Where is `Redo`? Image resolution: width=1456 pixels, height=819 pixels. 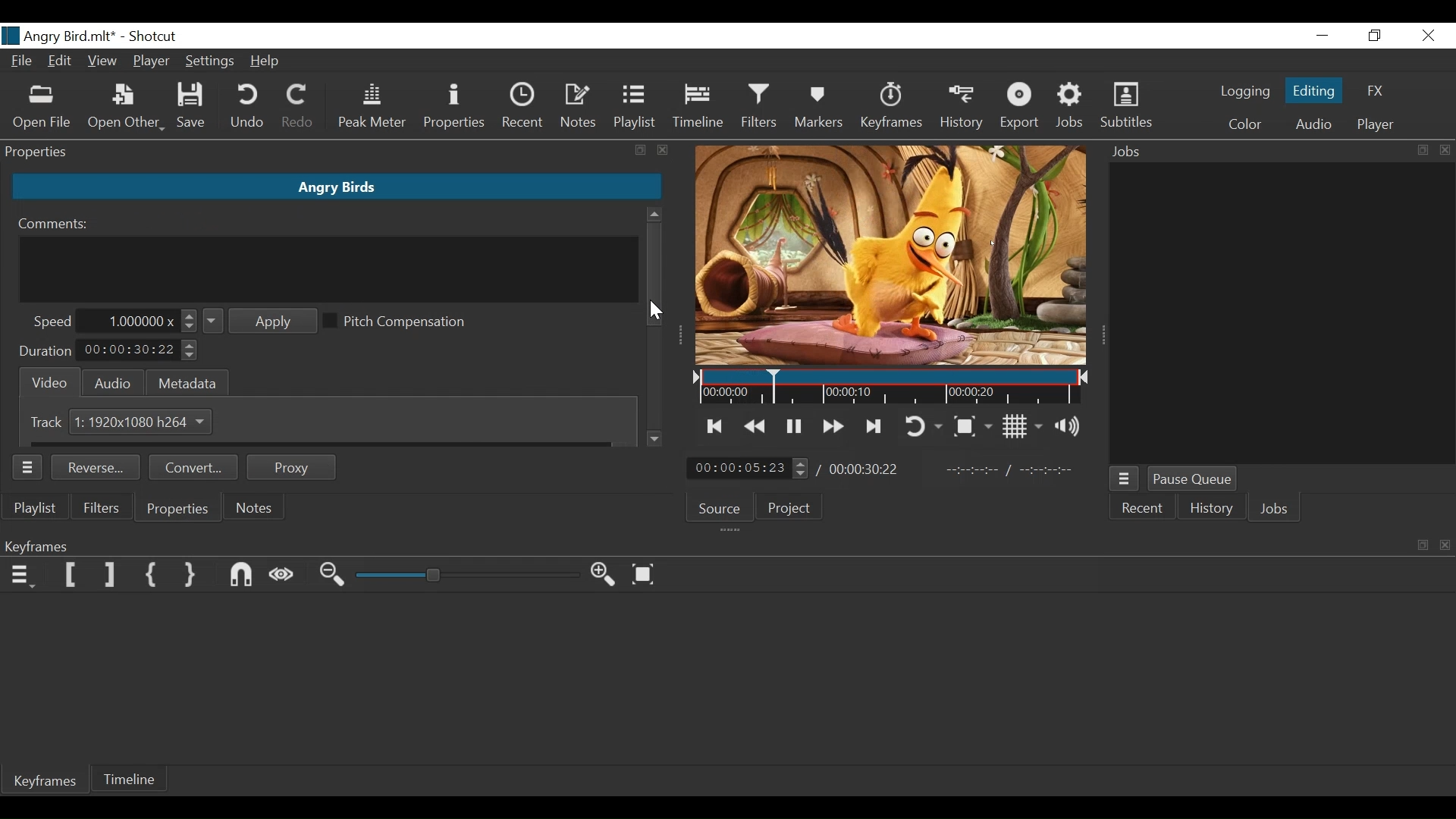
Redo is located at coordinates (298, 109).